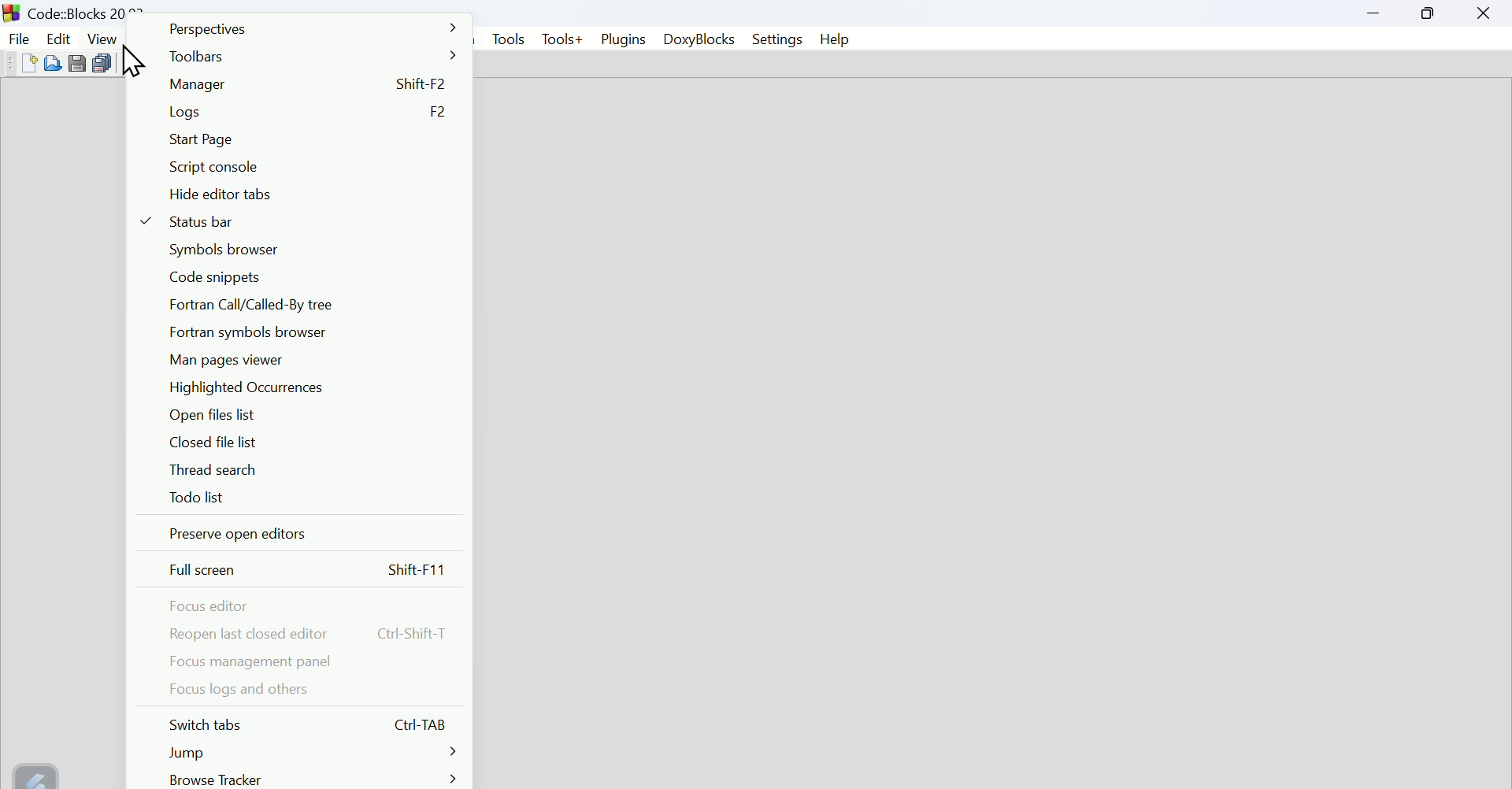 This screenshot has height=789, width=1512. What do you see at coordinates (1429, 13) in the screenshot?
I see `Maximize` at bounding box center [1429, 13].